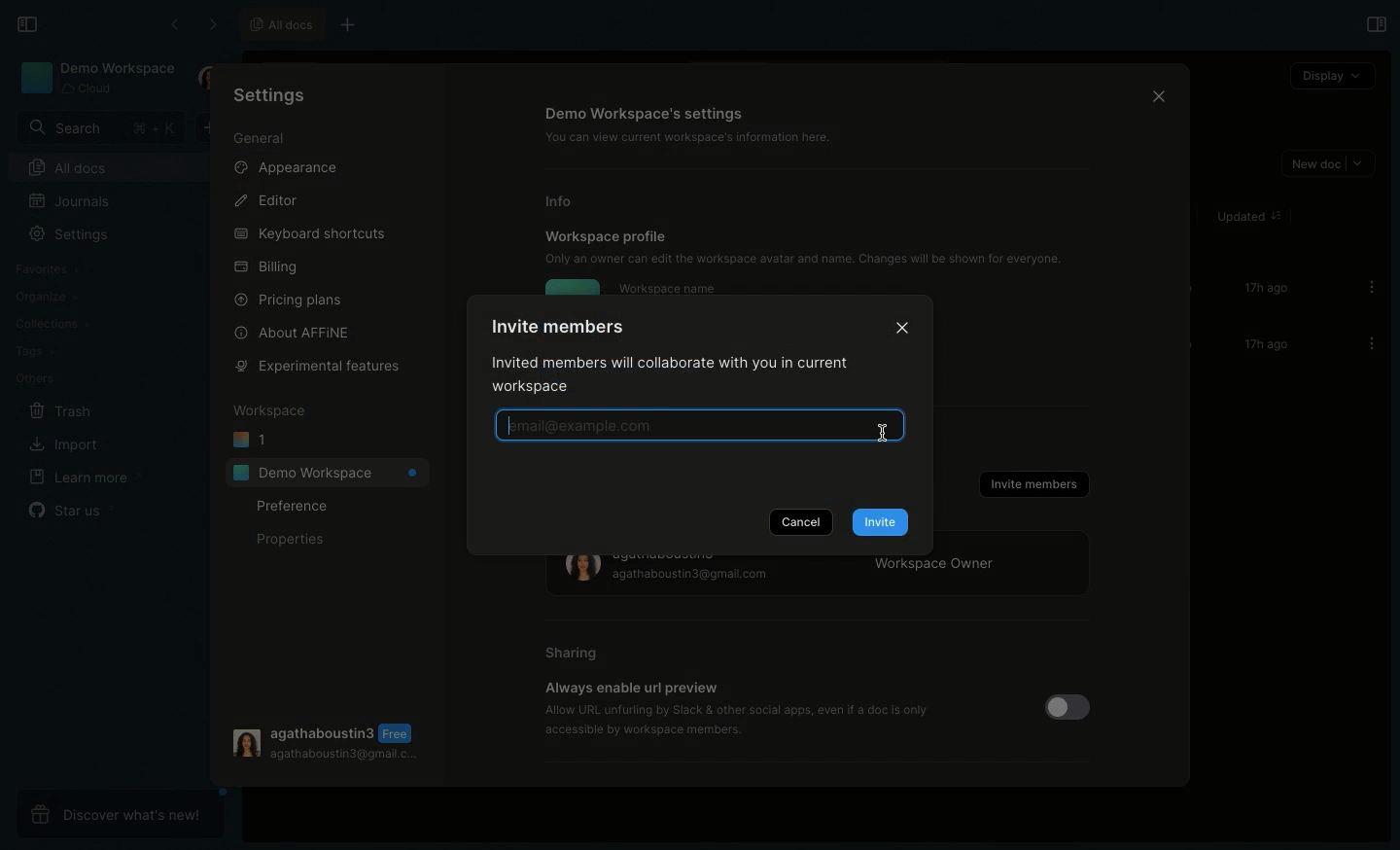 This screenshot has height=850, width=1400. What do you see at coordinates (821, 571) in the screenshot?
I see `Workspace owner` at bounding box center [821, 571].